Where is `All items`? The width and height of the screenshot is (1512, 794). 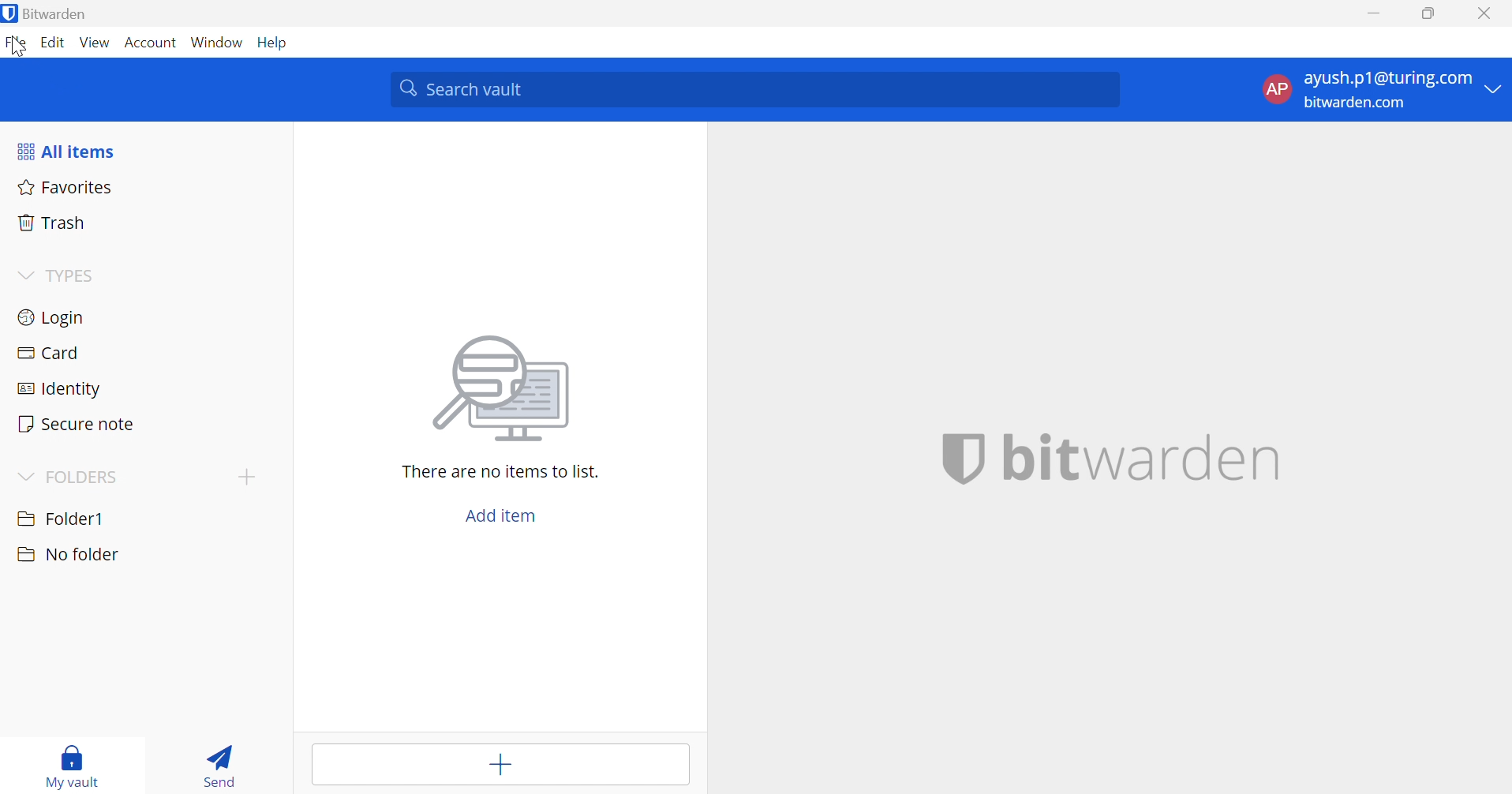
All items is located at coordinates (65, 150).